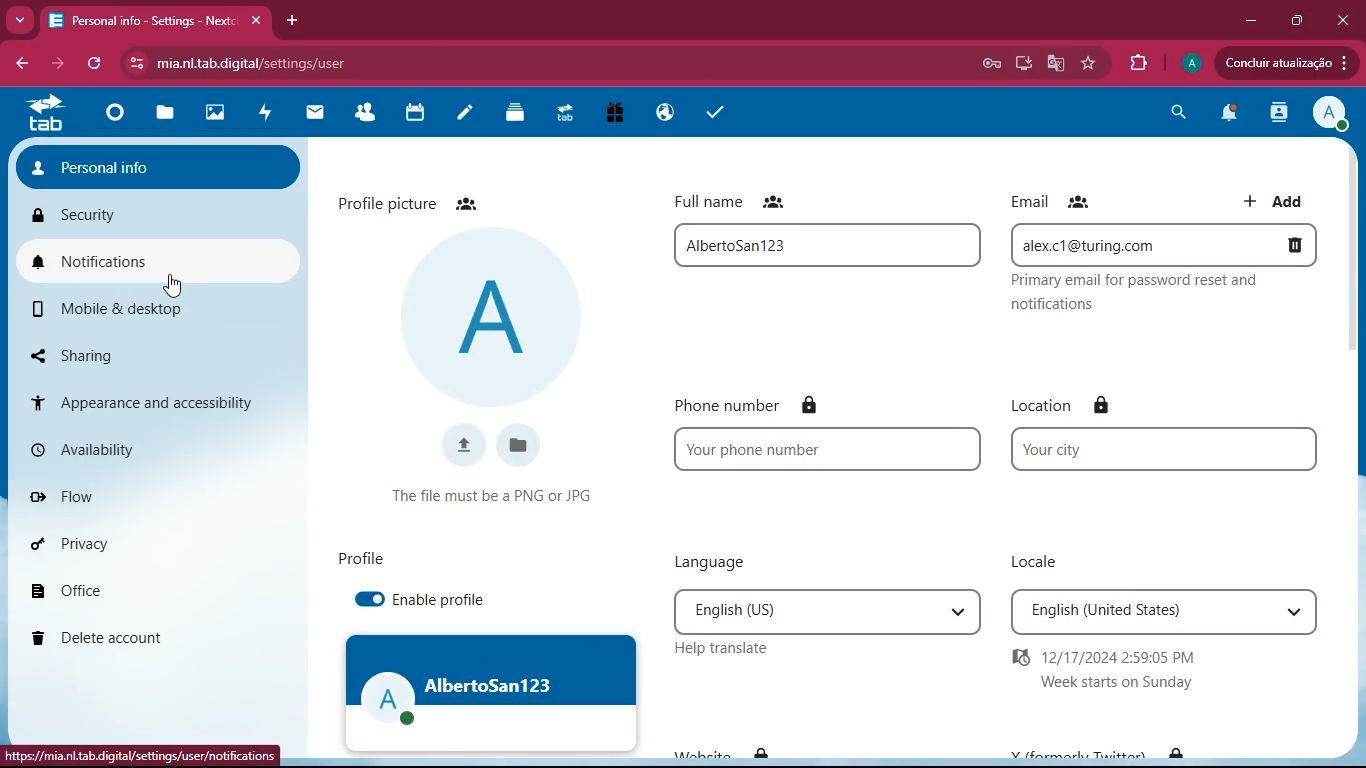 This screenshot has height=768, width=1366. Describe the element at coordinates (1054, 62) in the screenshot. I see `google translate` at that location.